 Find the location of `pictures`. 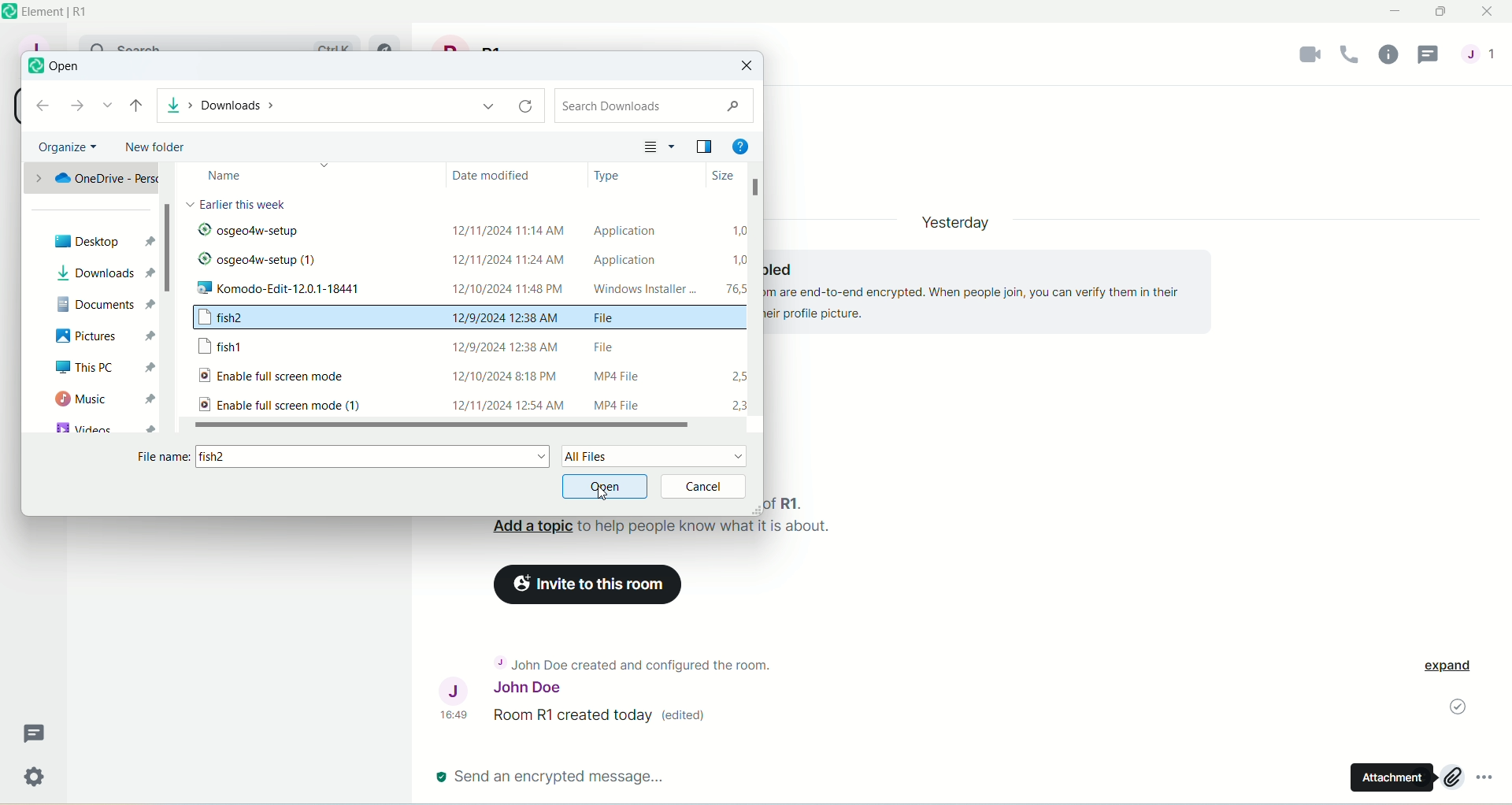

pictures is located at coordinates (102, 337).